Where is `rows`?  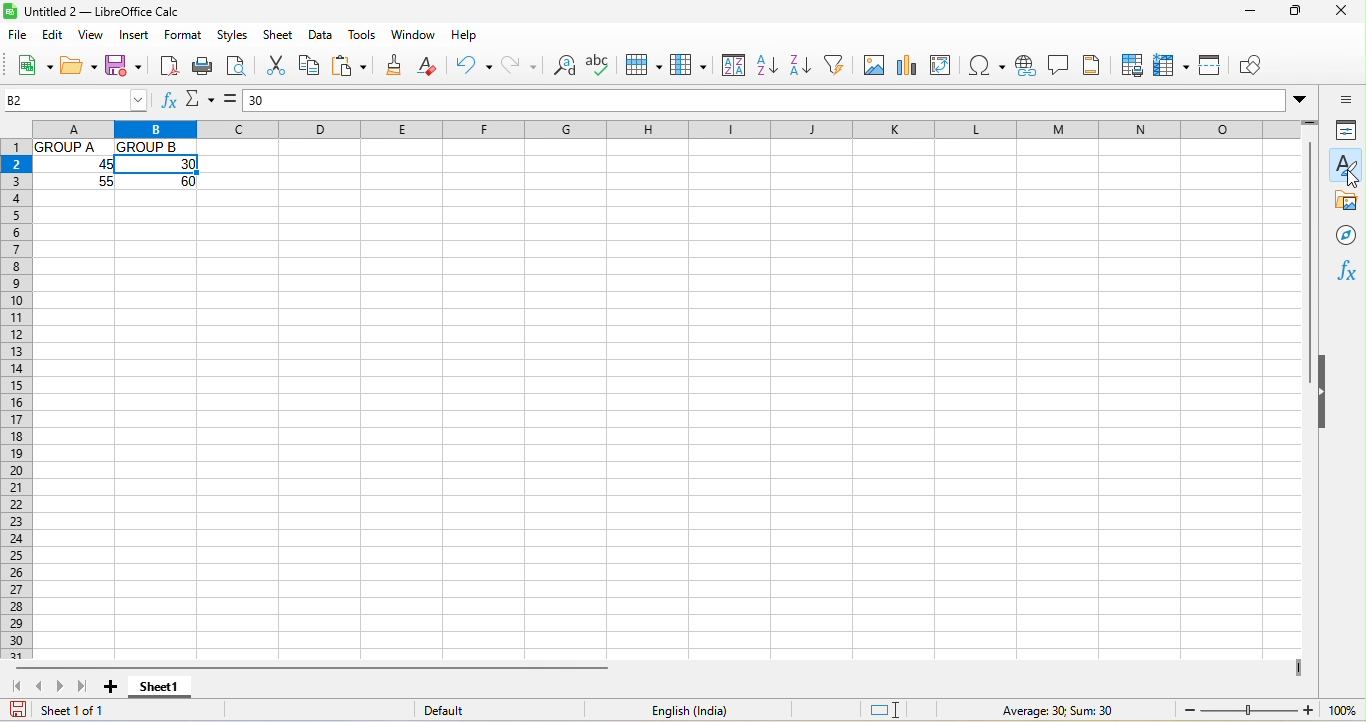 rows is located at coordinates (16, 400).